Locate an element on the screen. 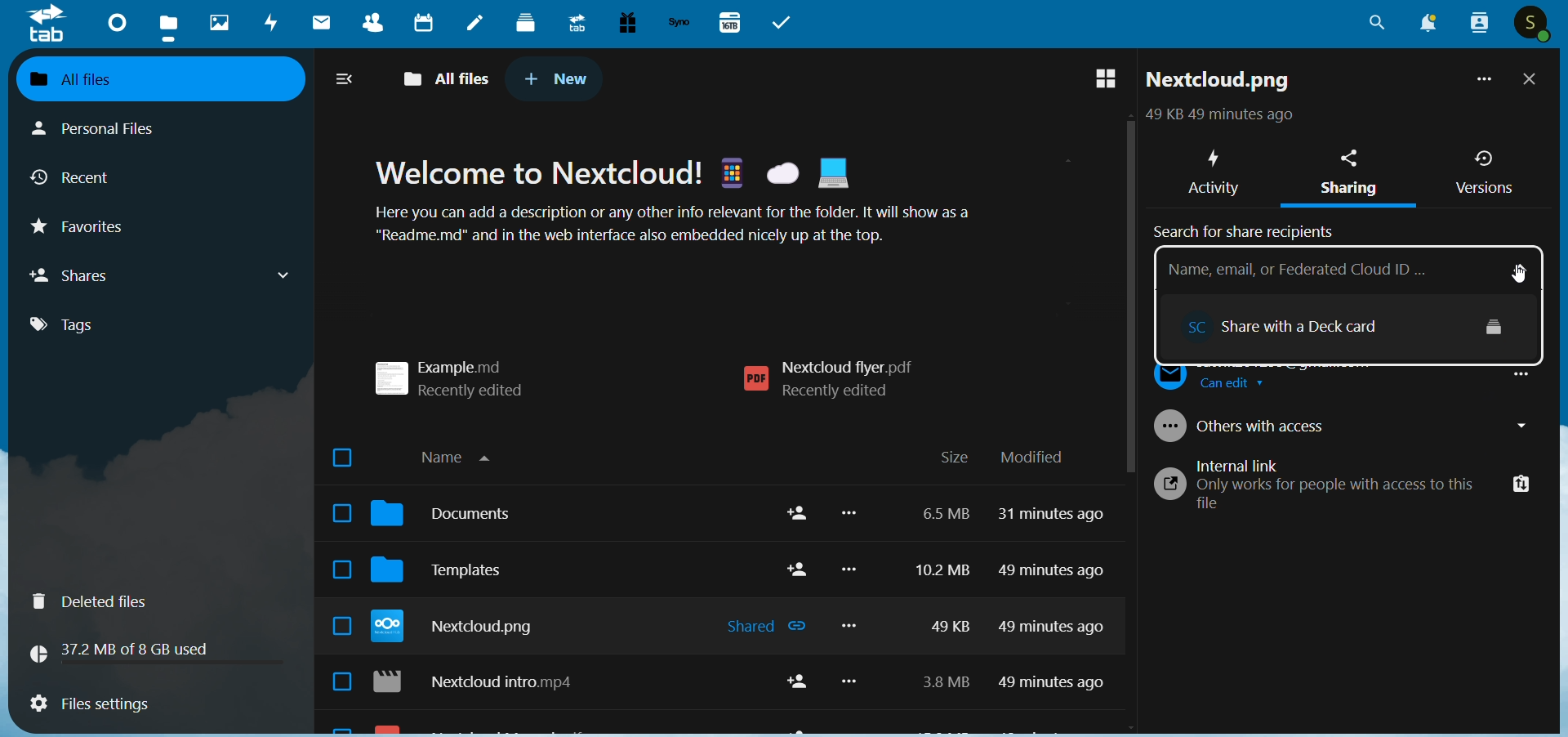 This screenshot has width=1568, height=737. favorites is located at coordinates (92, 231).